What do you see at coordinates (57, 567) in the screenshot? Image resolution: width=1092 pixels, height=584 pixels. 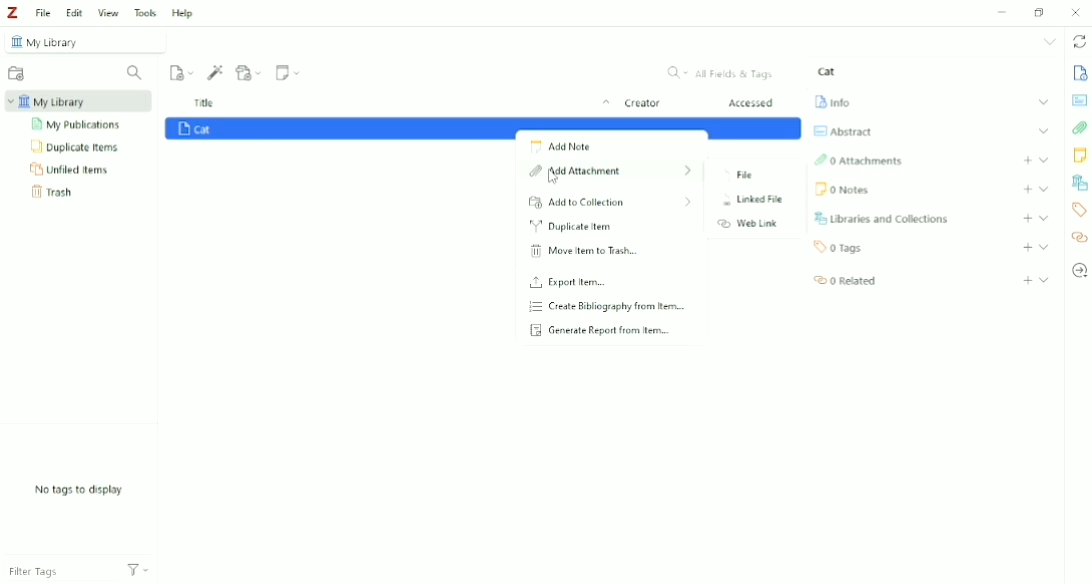 I see `Filter Tags` at bounding box center [57, 567].